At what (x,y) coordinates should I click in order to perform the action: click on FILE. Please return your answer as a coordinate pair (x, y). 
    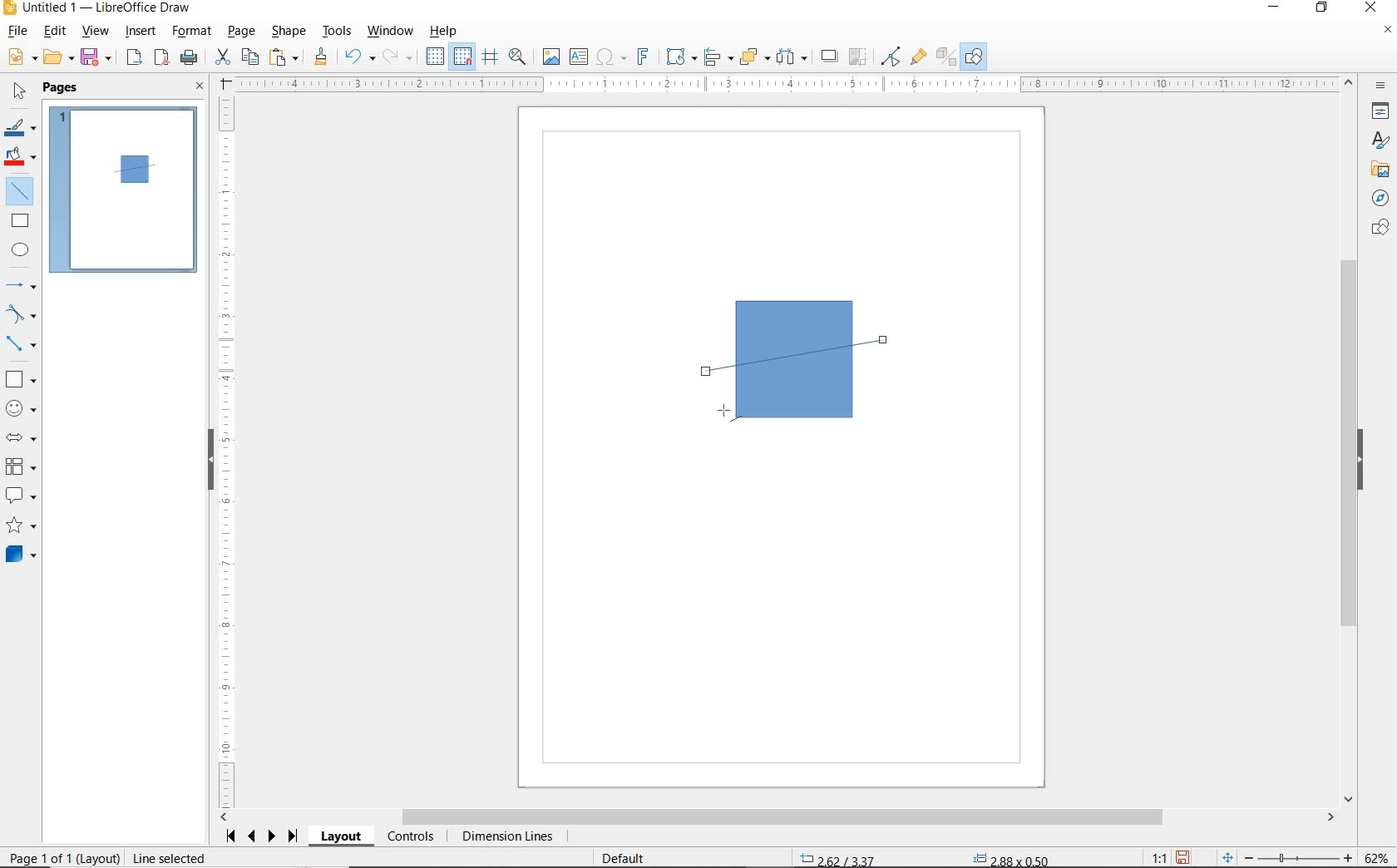
    Looking at the image, I should click on (16, 32).